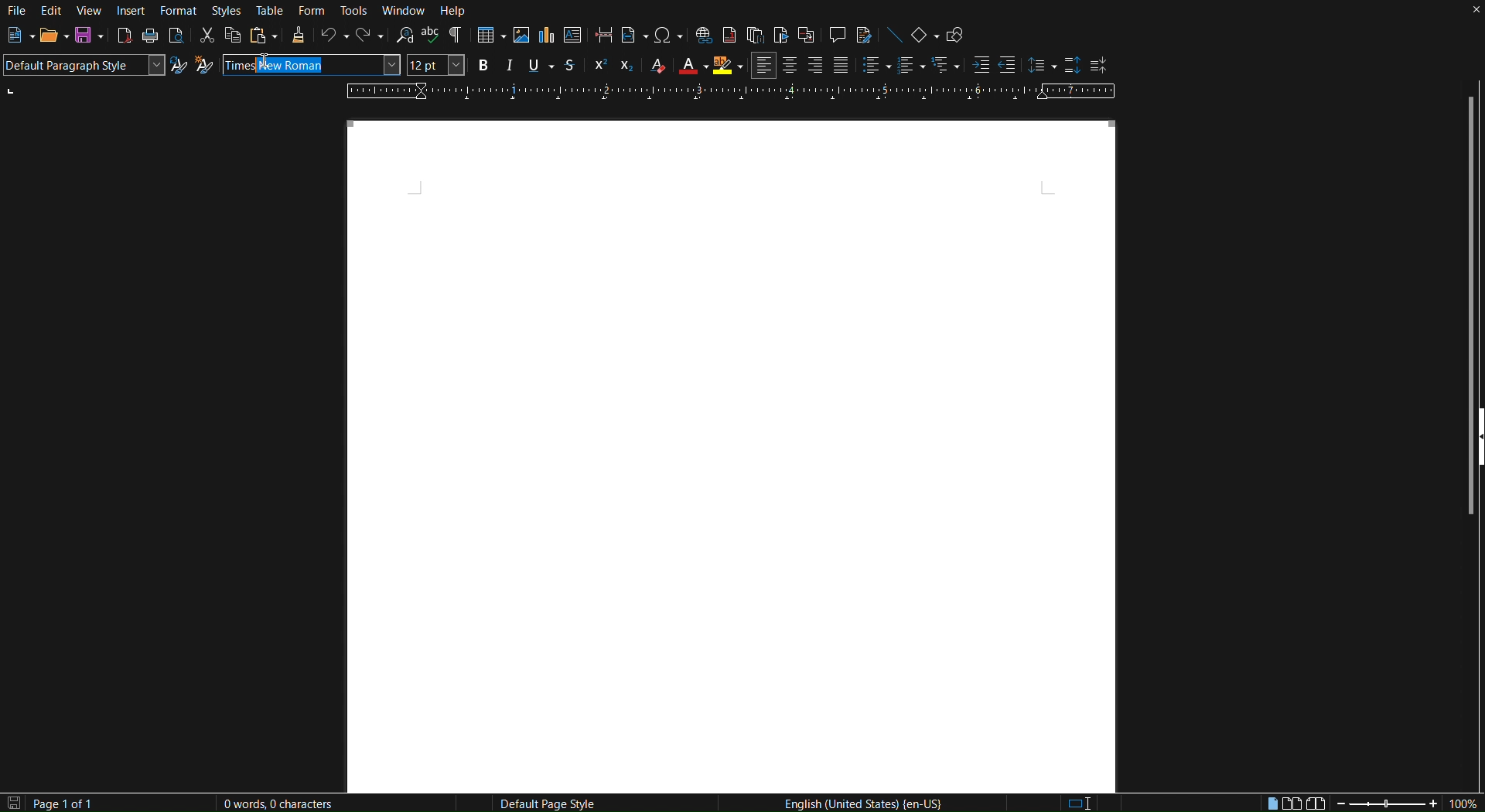 The height and width of the screenshot is (812, 1485). Describe the element at coordinates (433, 38) in the screenshot. I see `Check spelling` at that location.